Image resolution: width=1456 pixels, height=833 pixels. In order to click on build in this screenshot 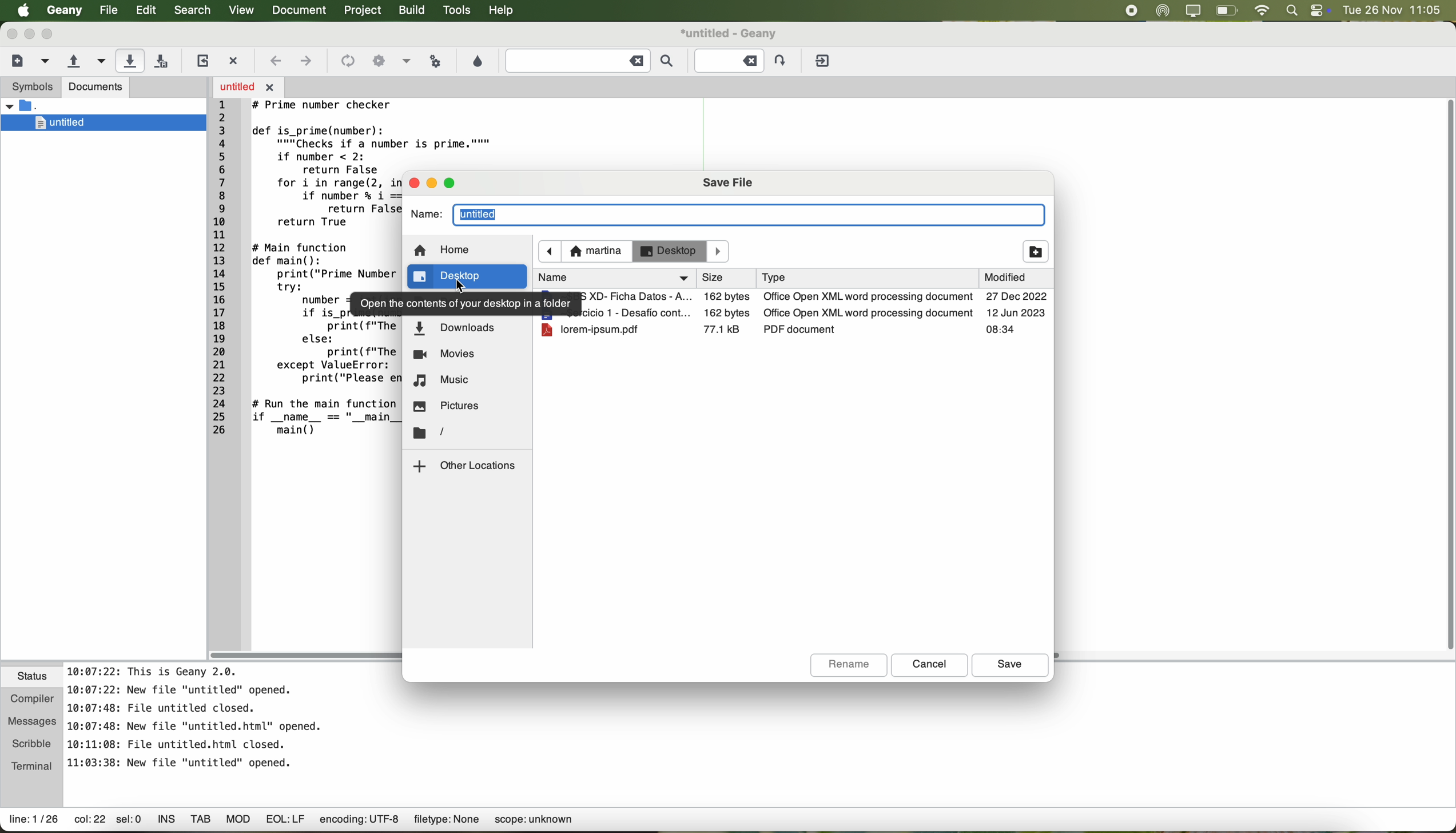, I will do `click(413, 11)`.